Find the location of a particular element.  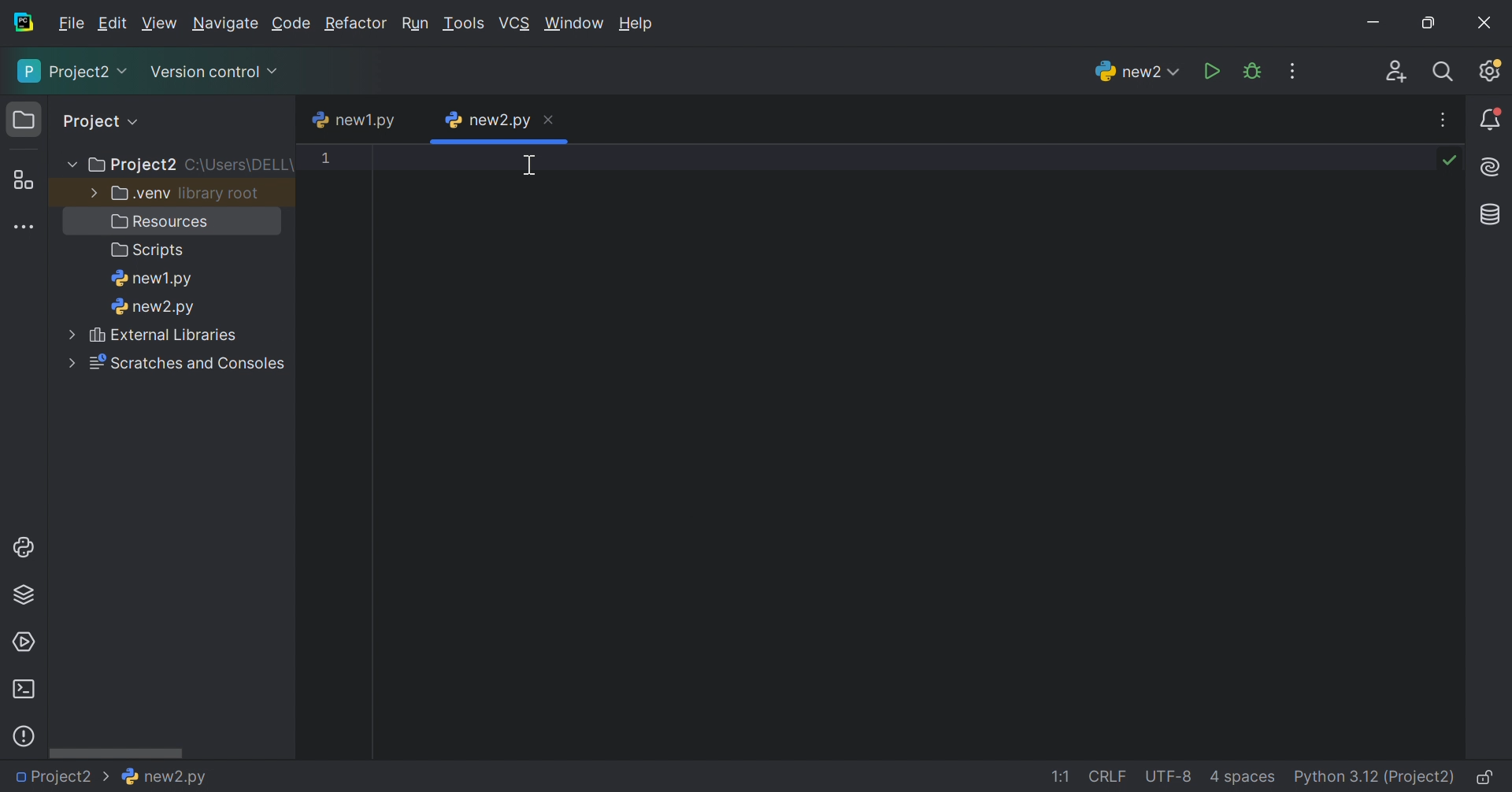

Scripts is located at coordinates (145, 251).